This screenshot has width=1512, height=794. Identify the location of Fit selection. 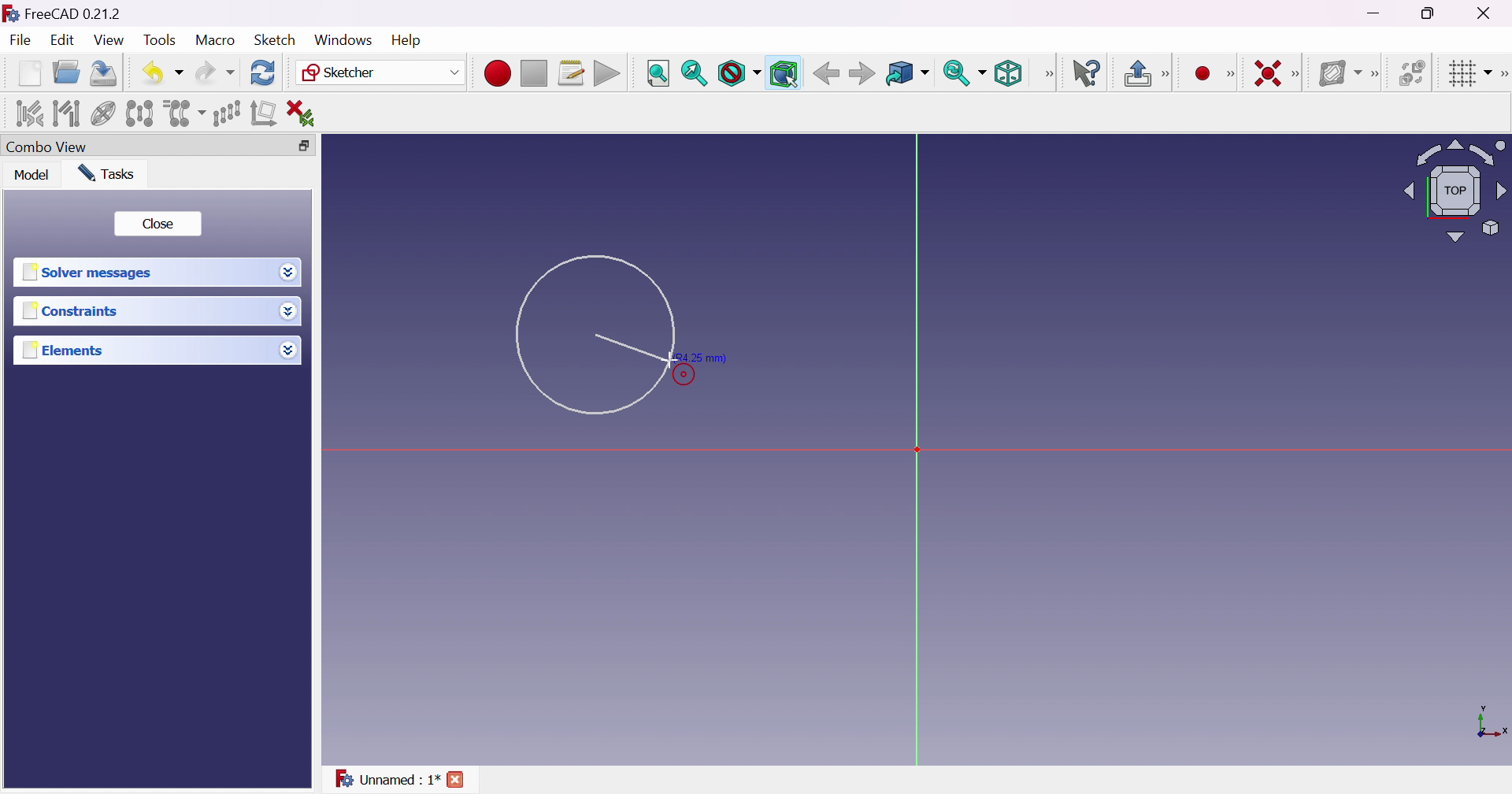
(693, 74).